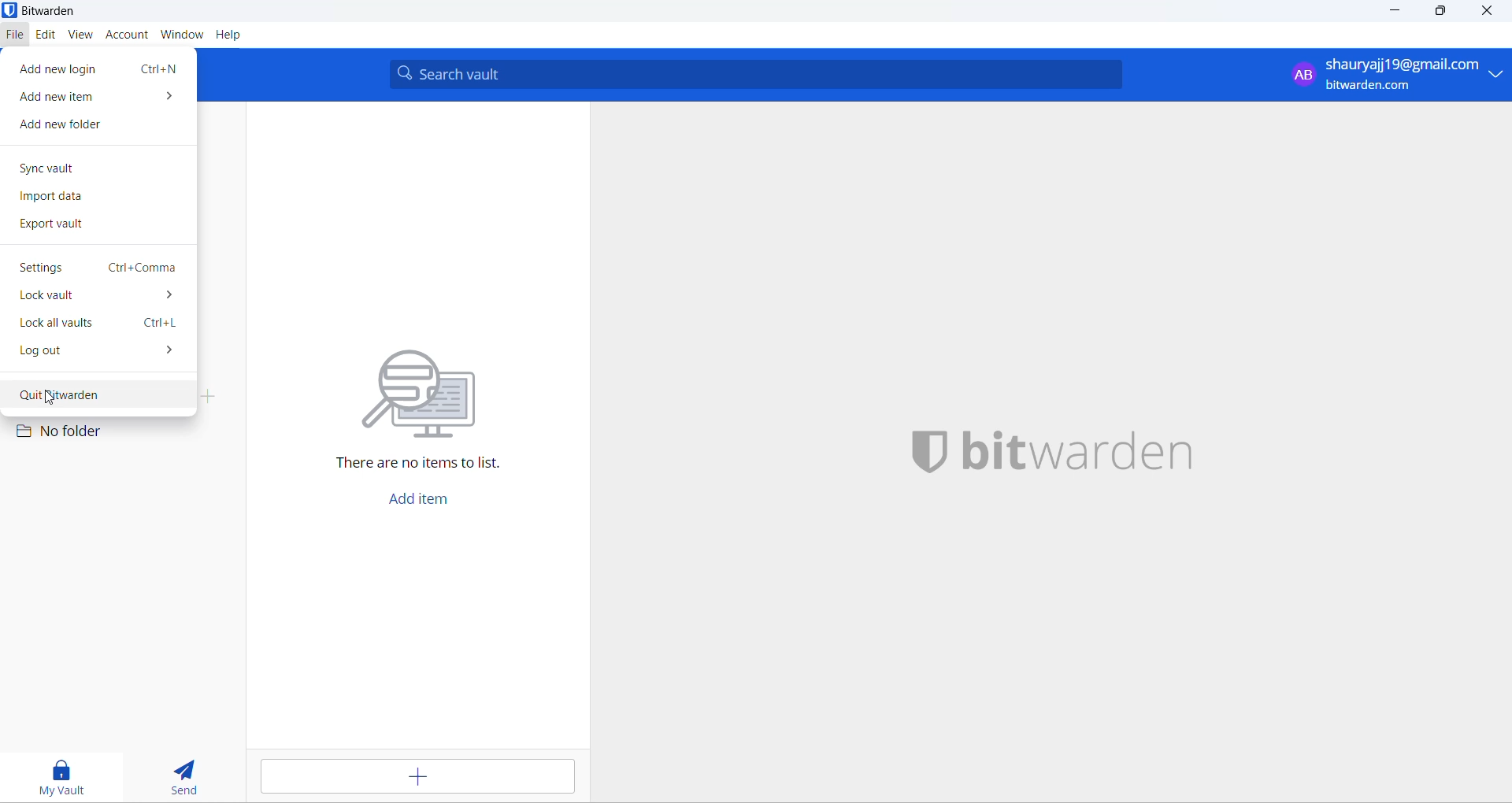 Image resolution: width=1512 pixels, height=803 pixels. I want to click on lock vault, so click(102, 298).